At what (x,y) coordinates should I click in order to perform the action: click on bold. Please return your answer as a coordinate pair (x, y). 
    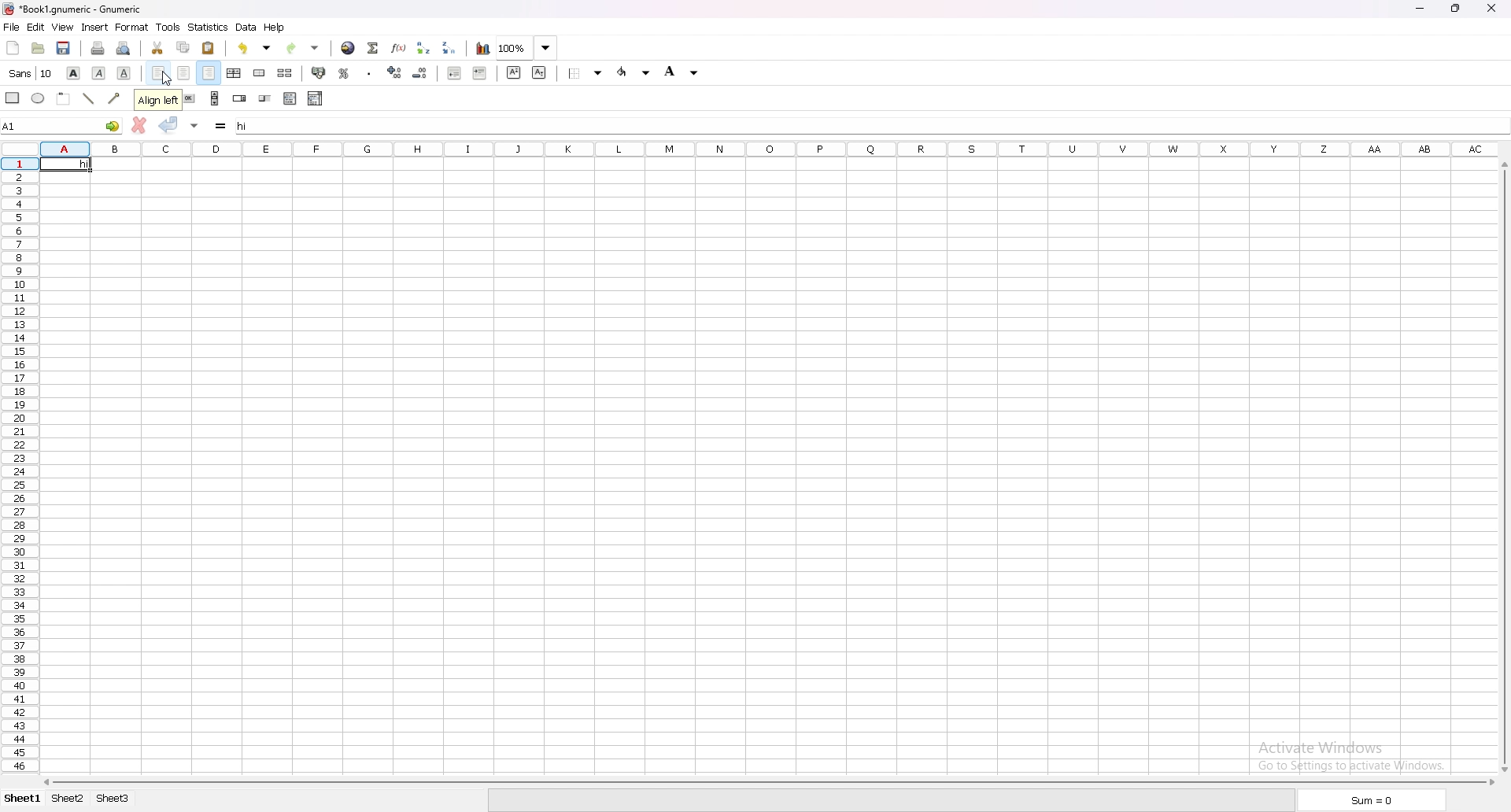
    Looking at the image, I should click on (73, 72).